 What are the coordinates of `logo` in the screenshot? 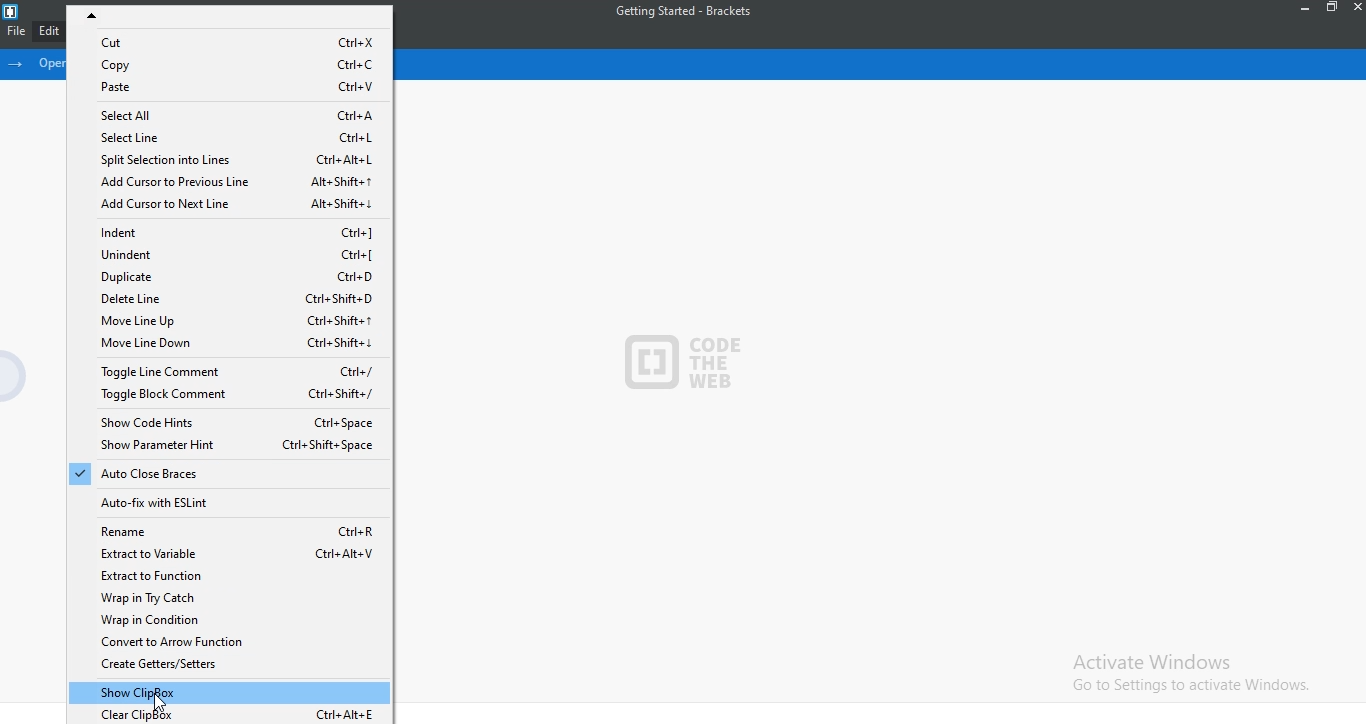 It's located at (11, 12).